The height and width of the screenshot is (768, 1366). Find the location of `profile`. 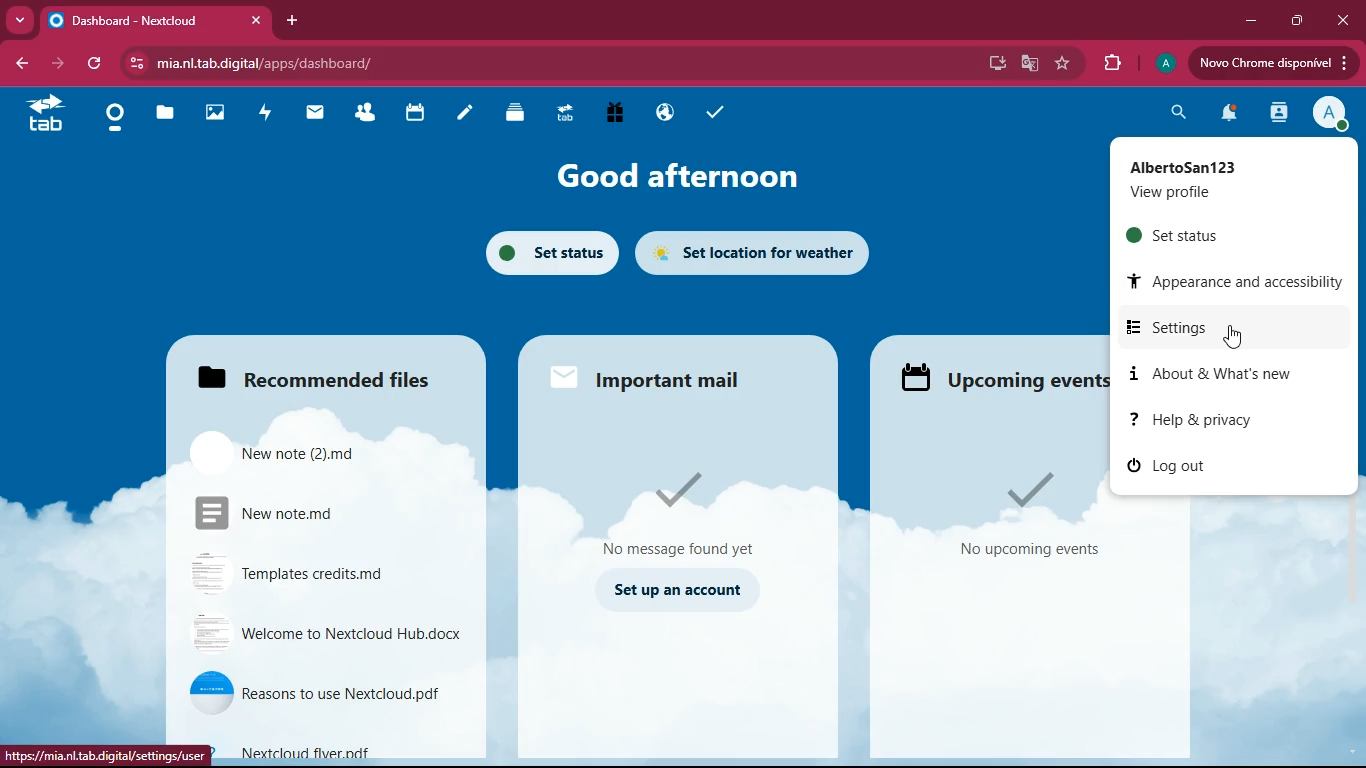

profile is located at coordinates (1328, 115).